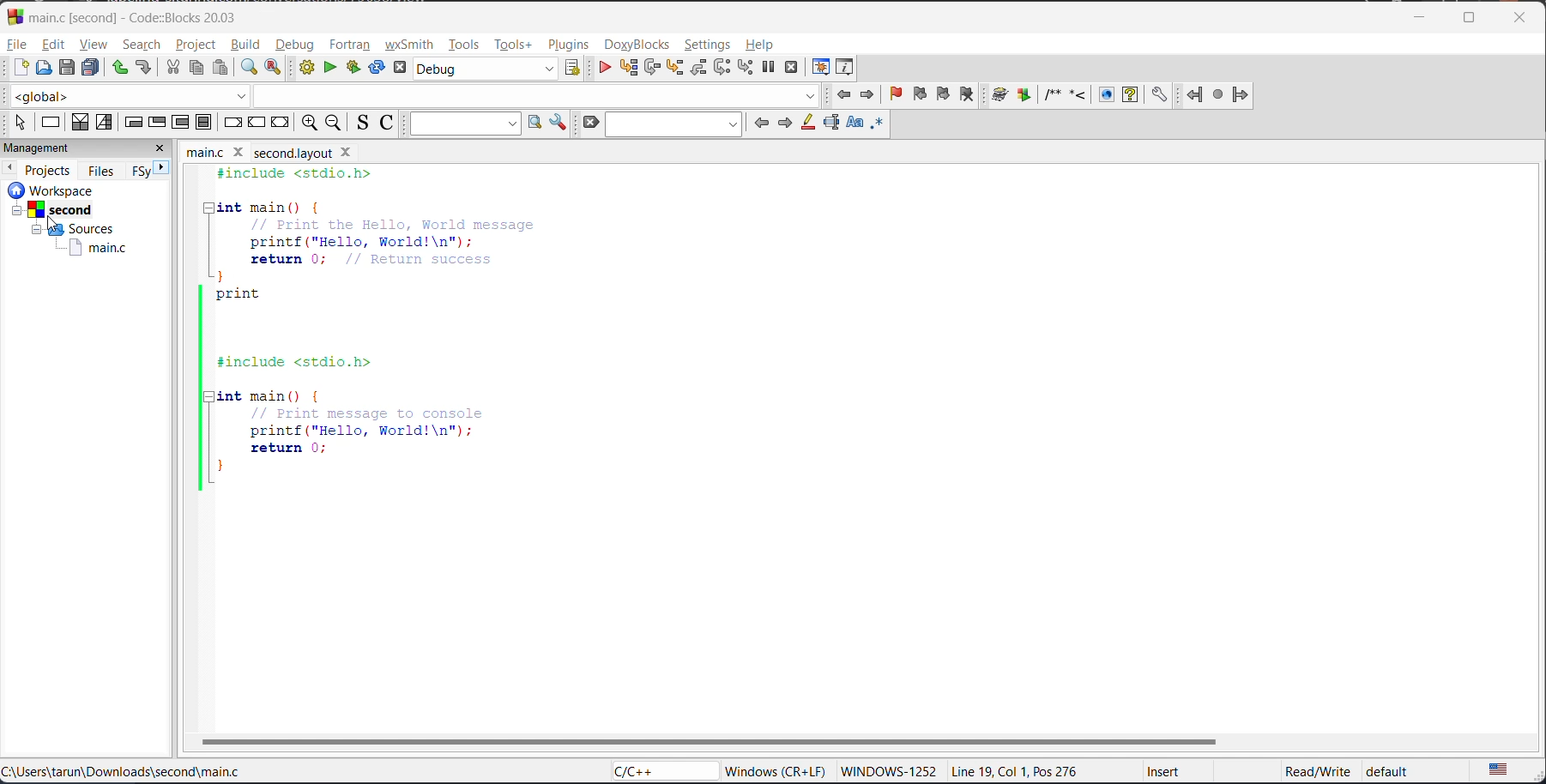  I want to click on new, so click(17, 69).